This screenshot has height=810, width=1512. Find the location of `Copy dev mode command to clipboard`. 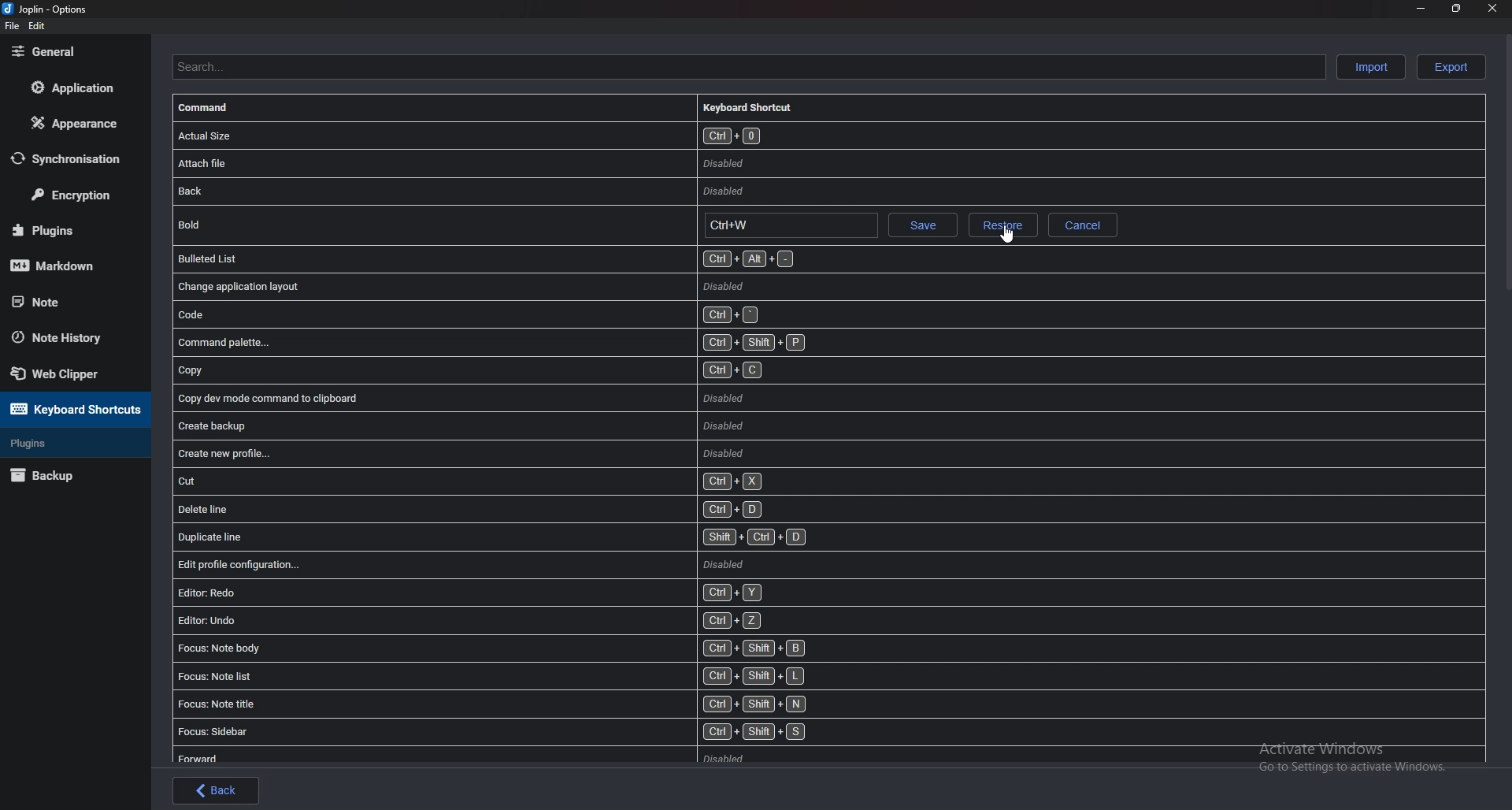

Copy dev mode command to clipboard is located at coordinates (465, 399).